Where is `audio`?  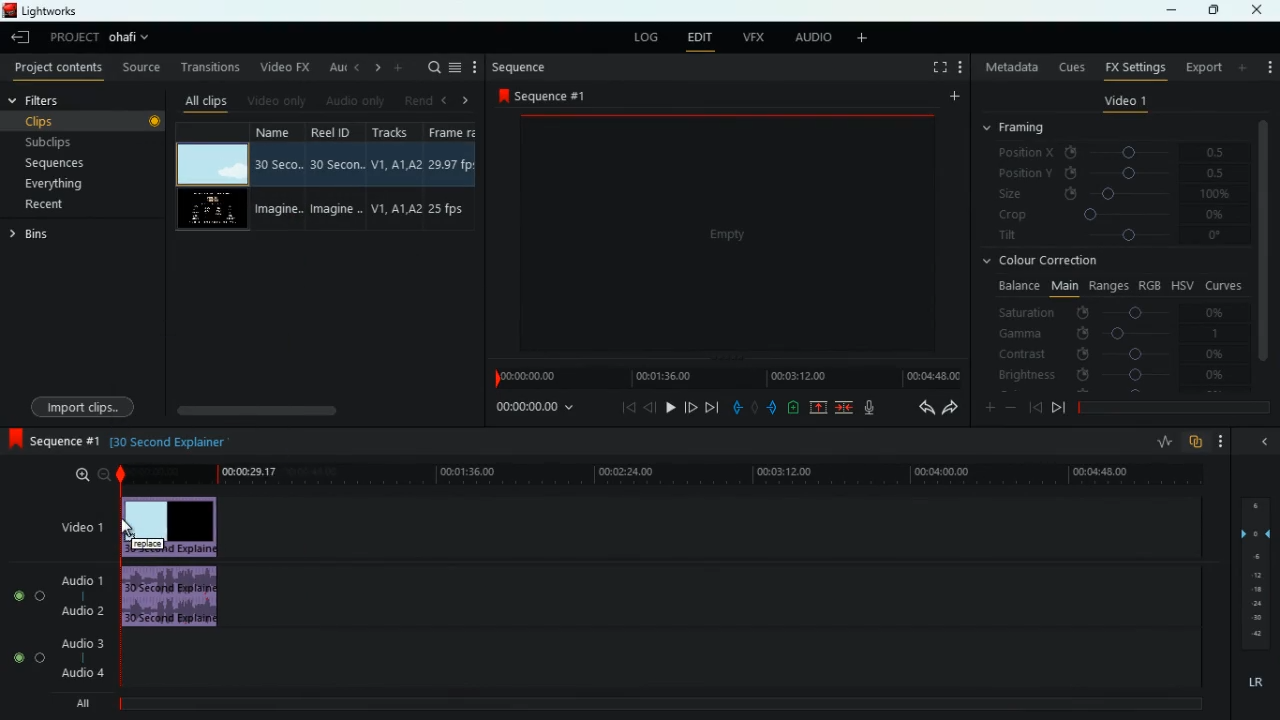
audio is located at coordinates (172, 526).